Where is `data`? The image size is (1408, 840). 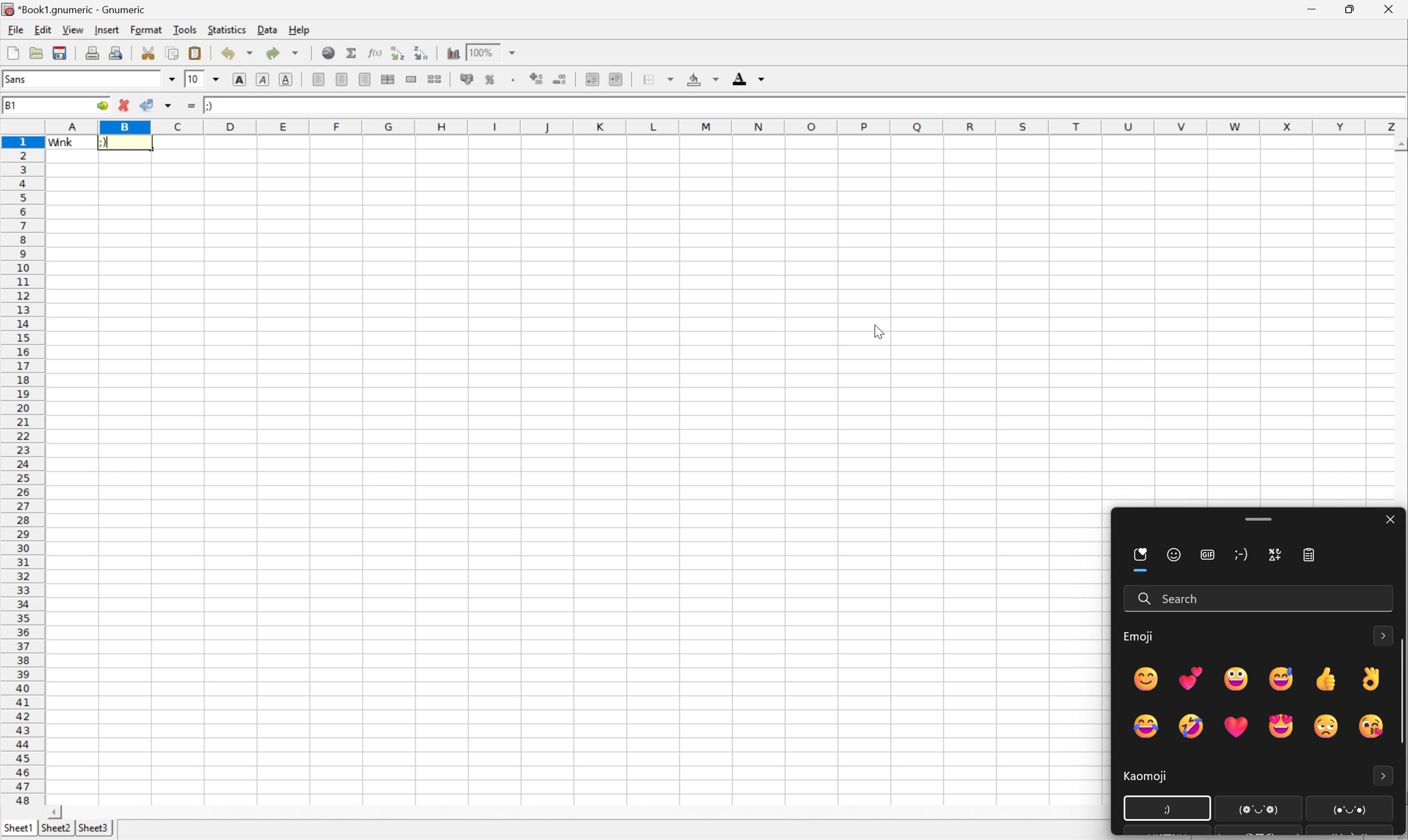
data is located at coordinates (266, 30).